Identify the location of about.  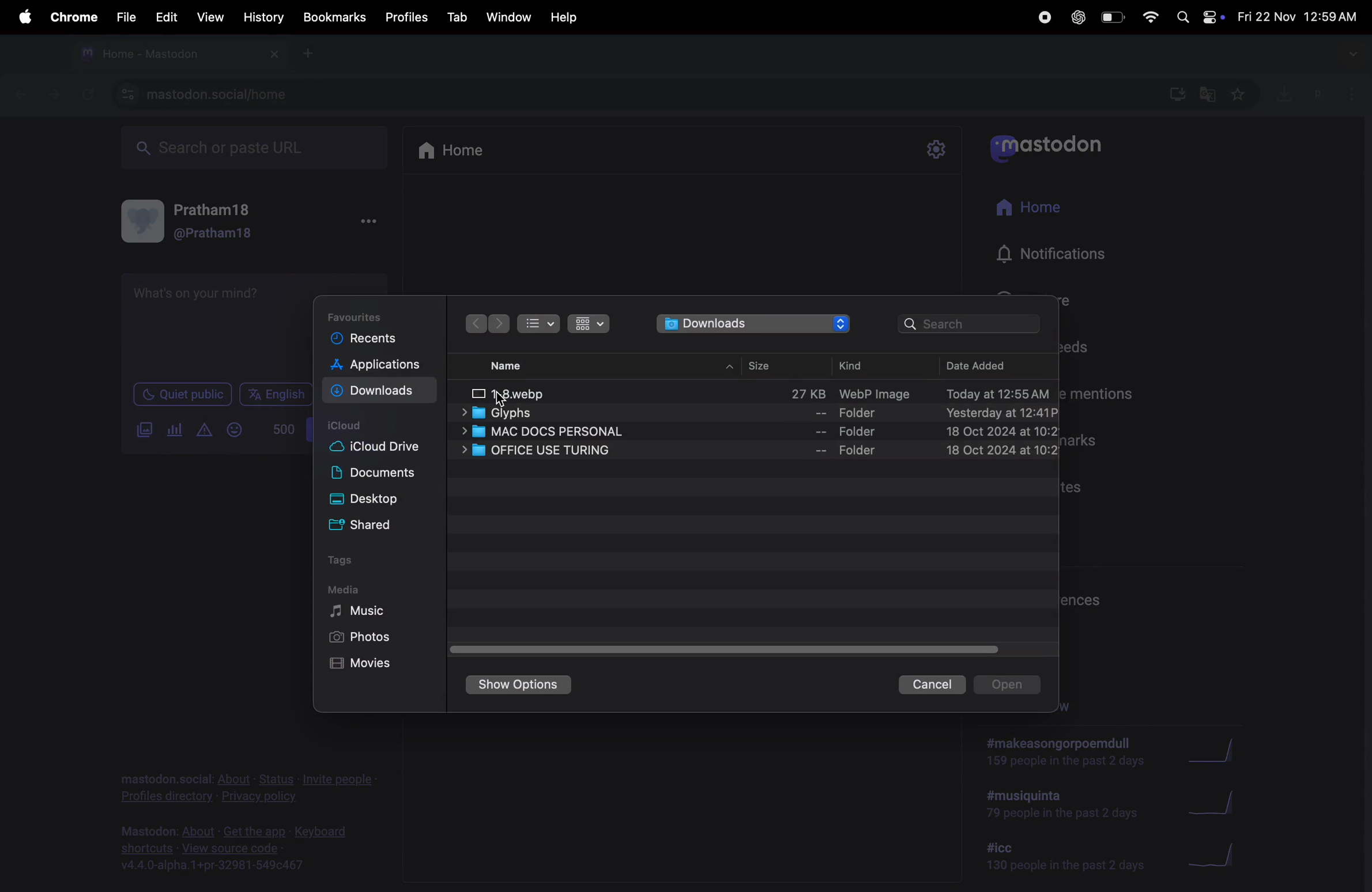
(198, 831).